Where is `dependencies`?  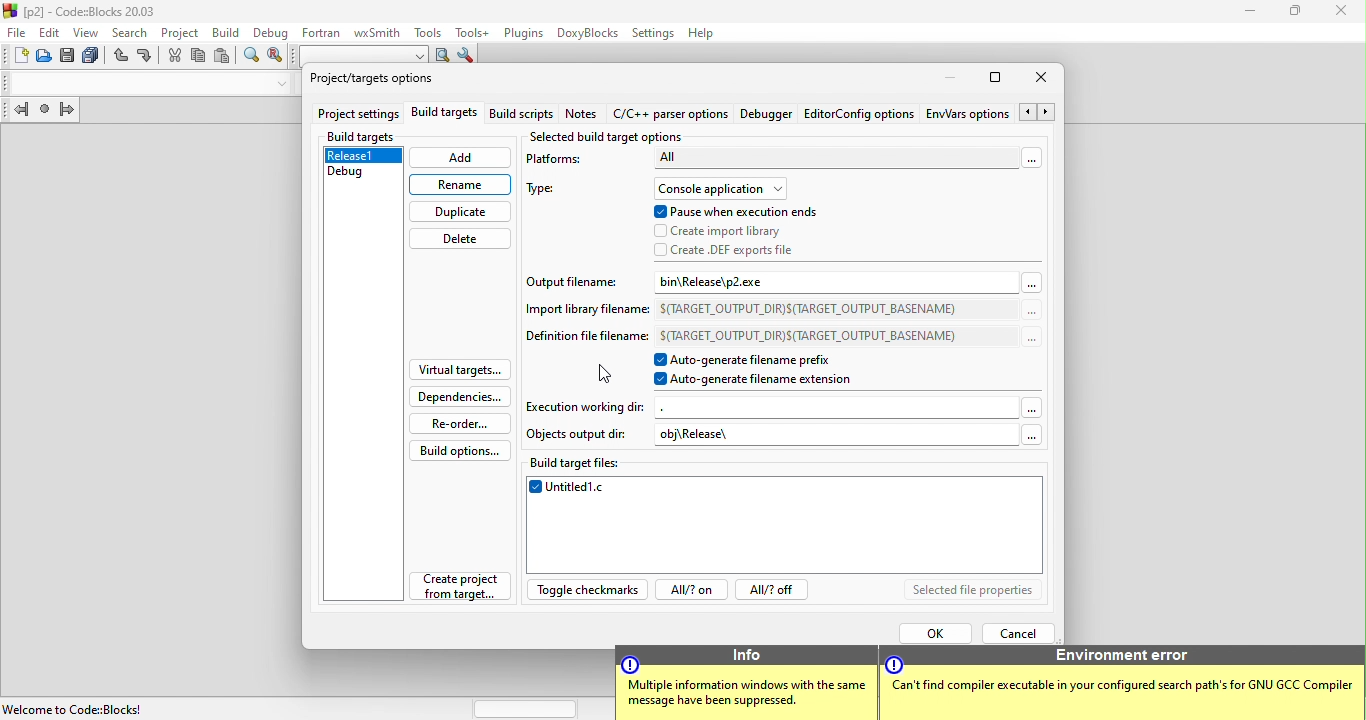 dependencies is located at coordinates (459, 397).